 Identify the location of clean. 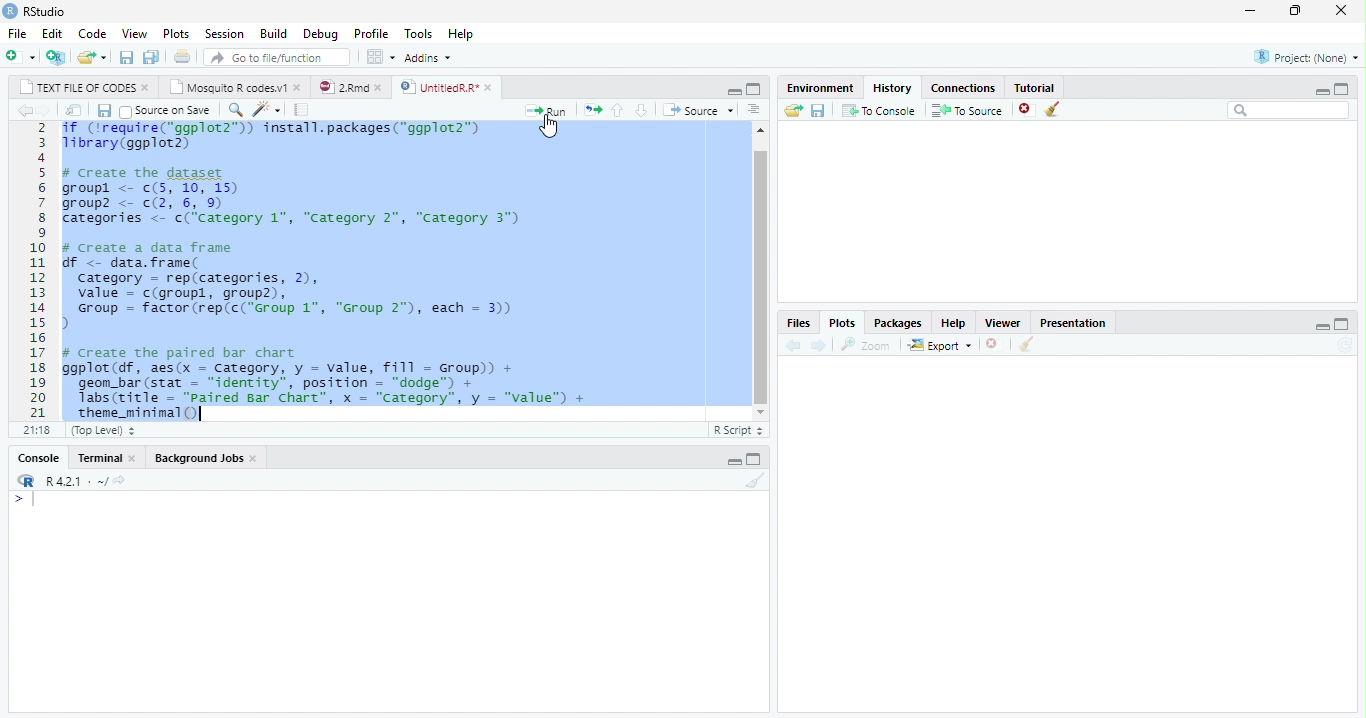
(1029, 345).